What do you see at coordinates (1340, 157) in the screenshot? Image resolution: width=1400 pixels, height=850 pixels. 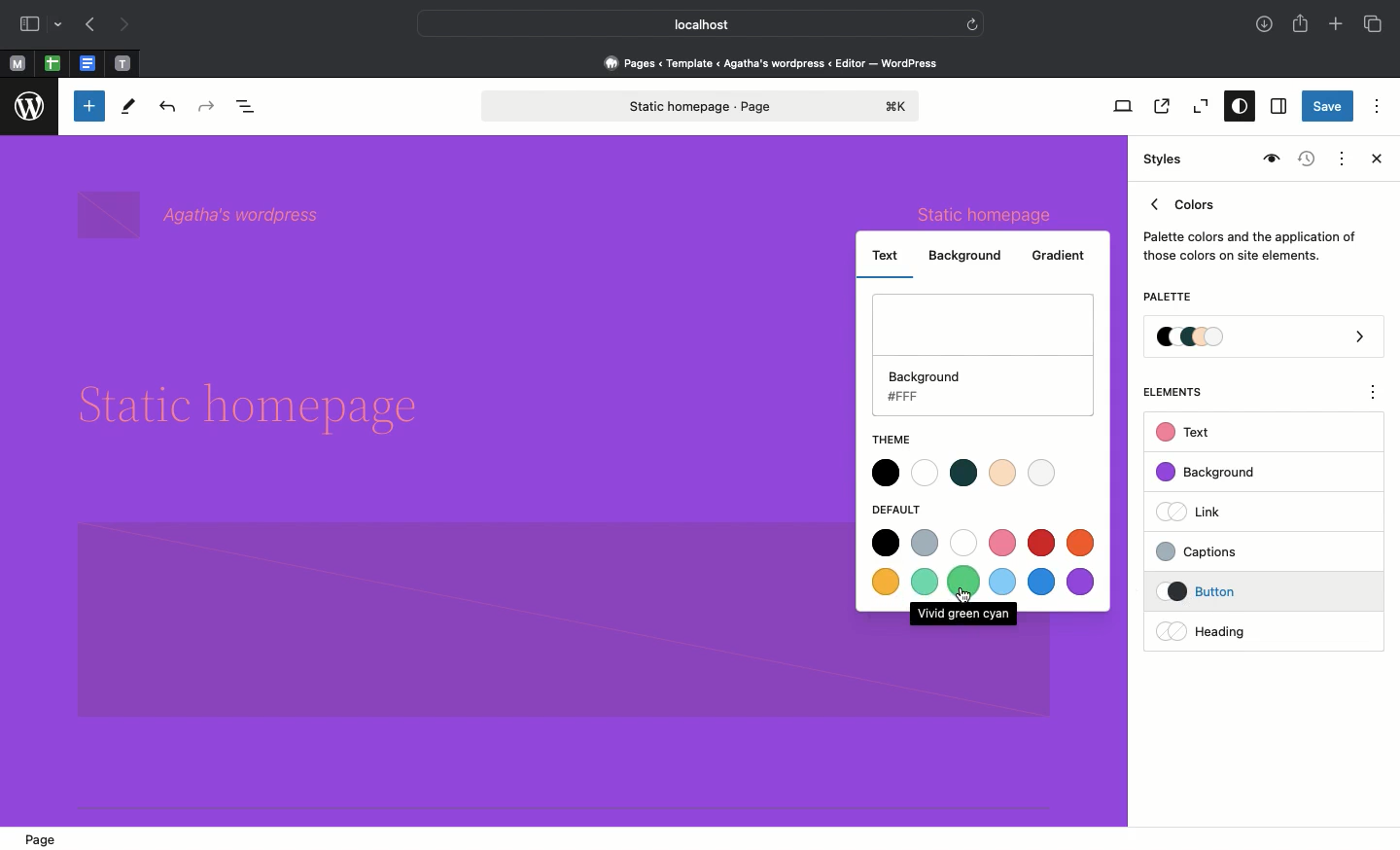 I see `Actions` at bounding box center [1340, 157].